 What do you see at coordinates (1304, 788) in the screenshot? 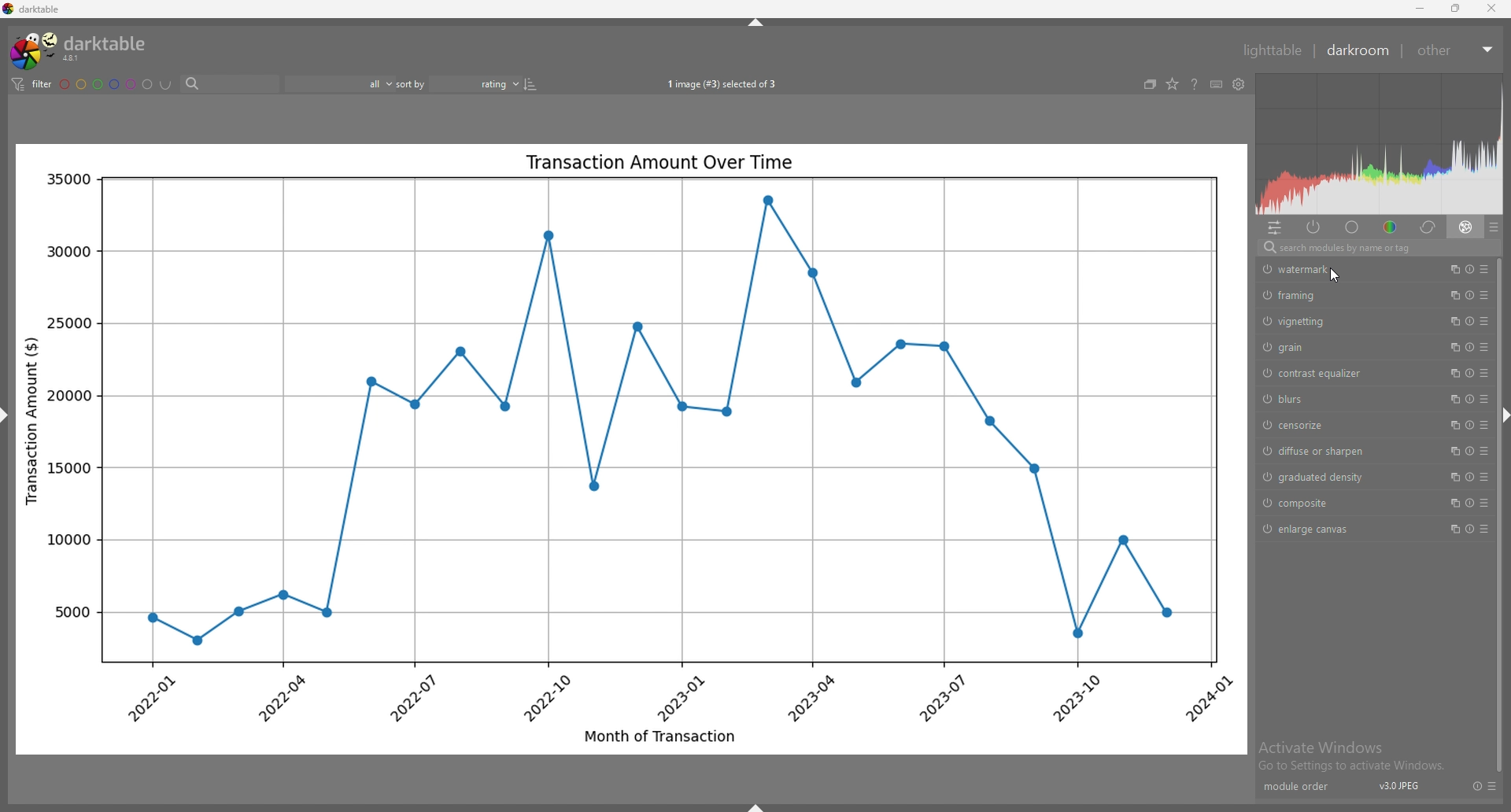
I see `module order` at bounding box center [1304, 788].